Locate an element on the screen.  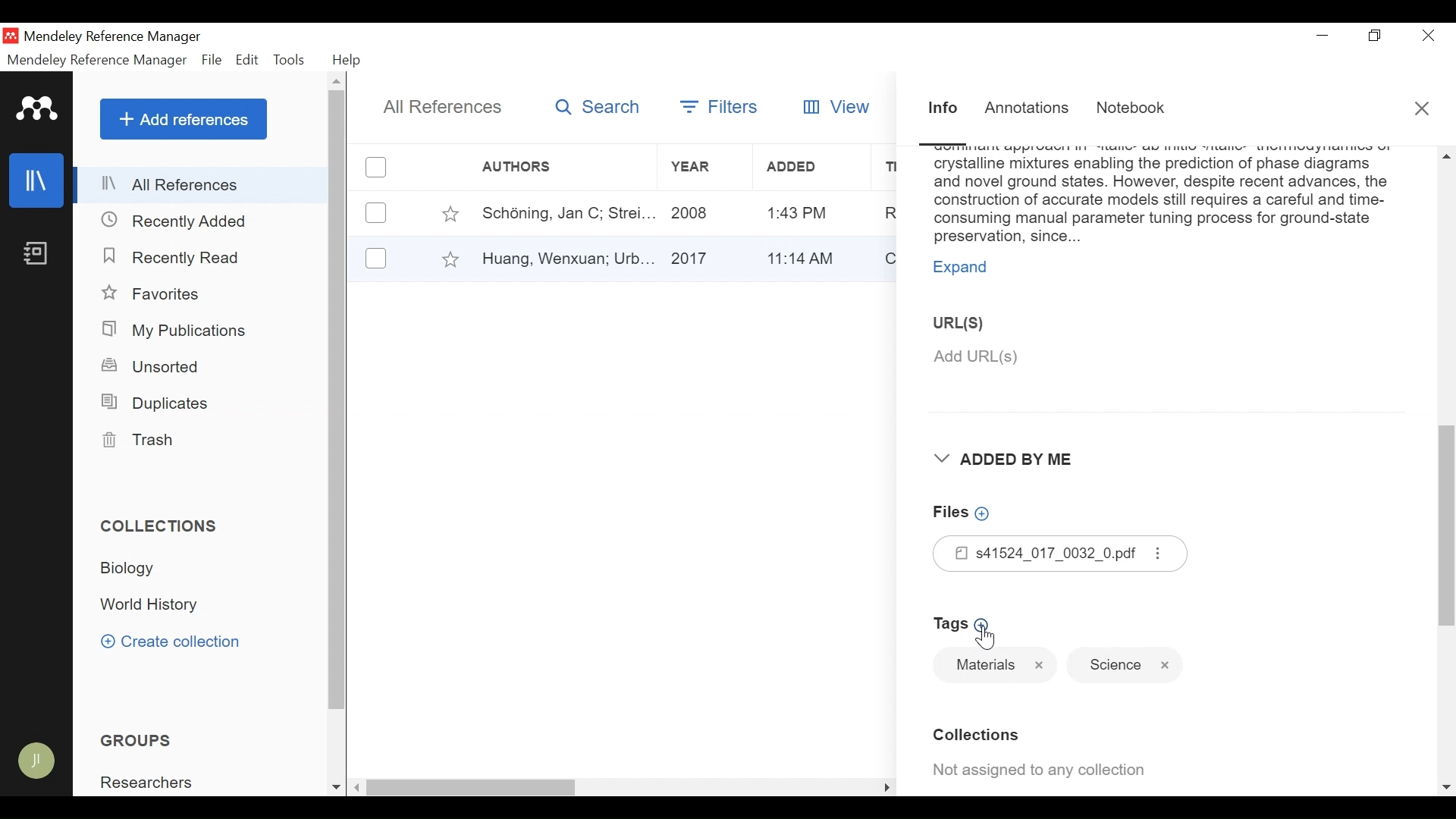
URL(S) is located at coordinates (971, 322).